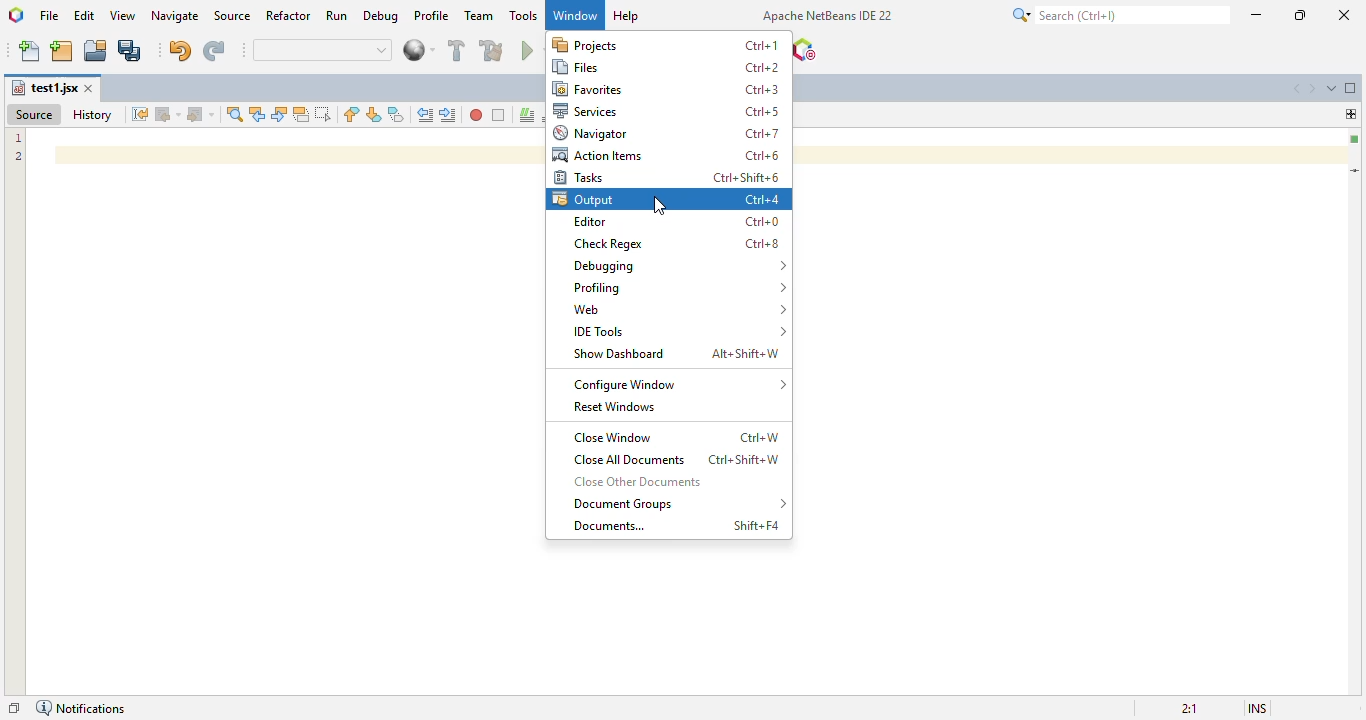 The image size is (1366, 720). Describe the element at coordinates (678, 222) in the screenshot. I see `Editor Ctrl + 0` at that location.